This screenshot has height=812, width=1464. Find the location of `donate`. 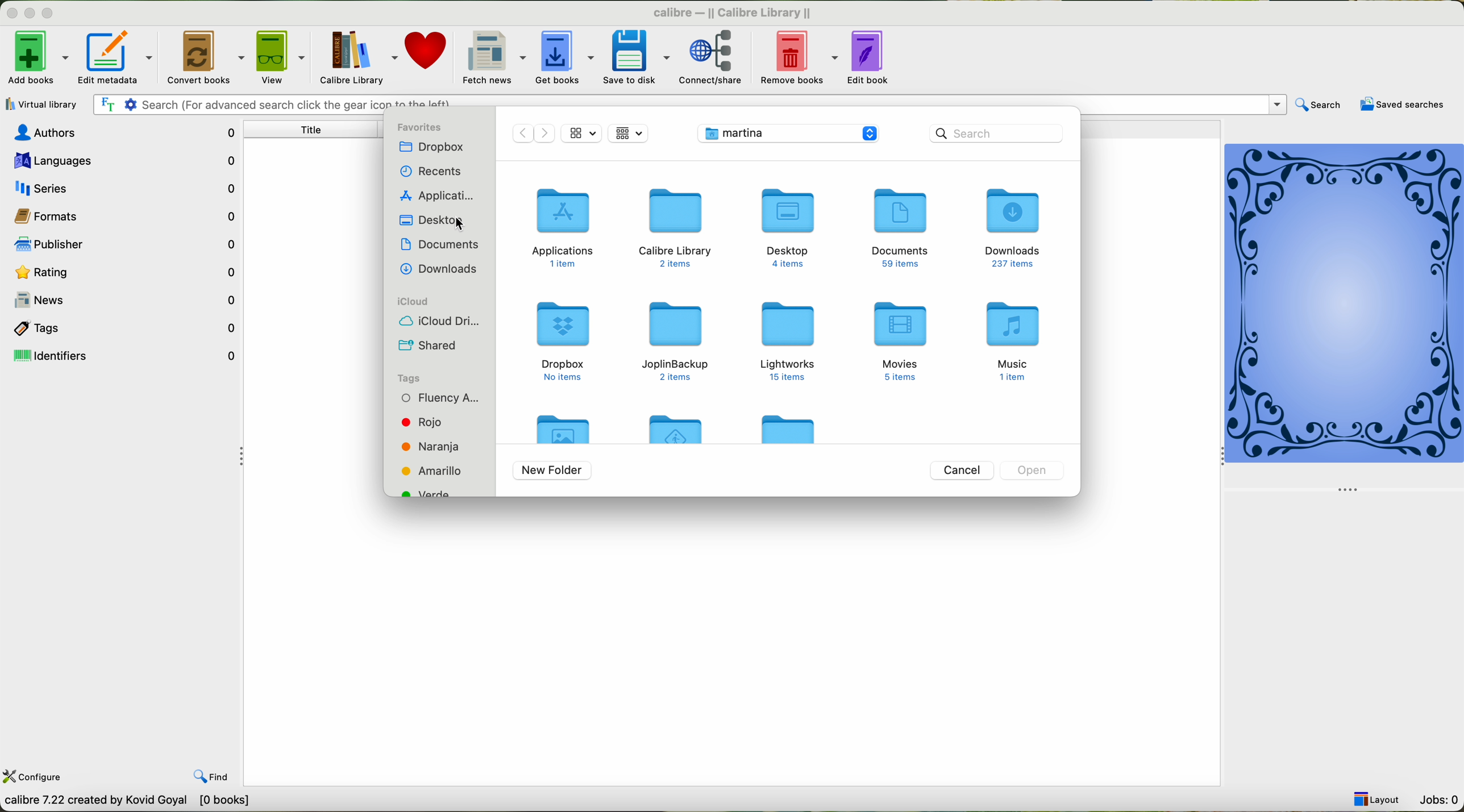

donate is located at coordinates (427, 53).